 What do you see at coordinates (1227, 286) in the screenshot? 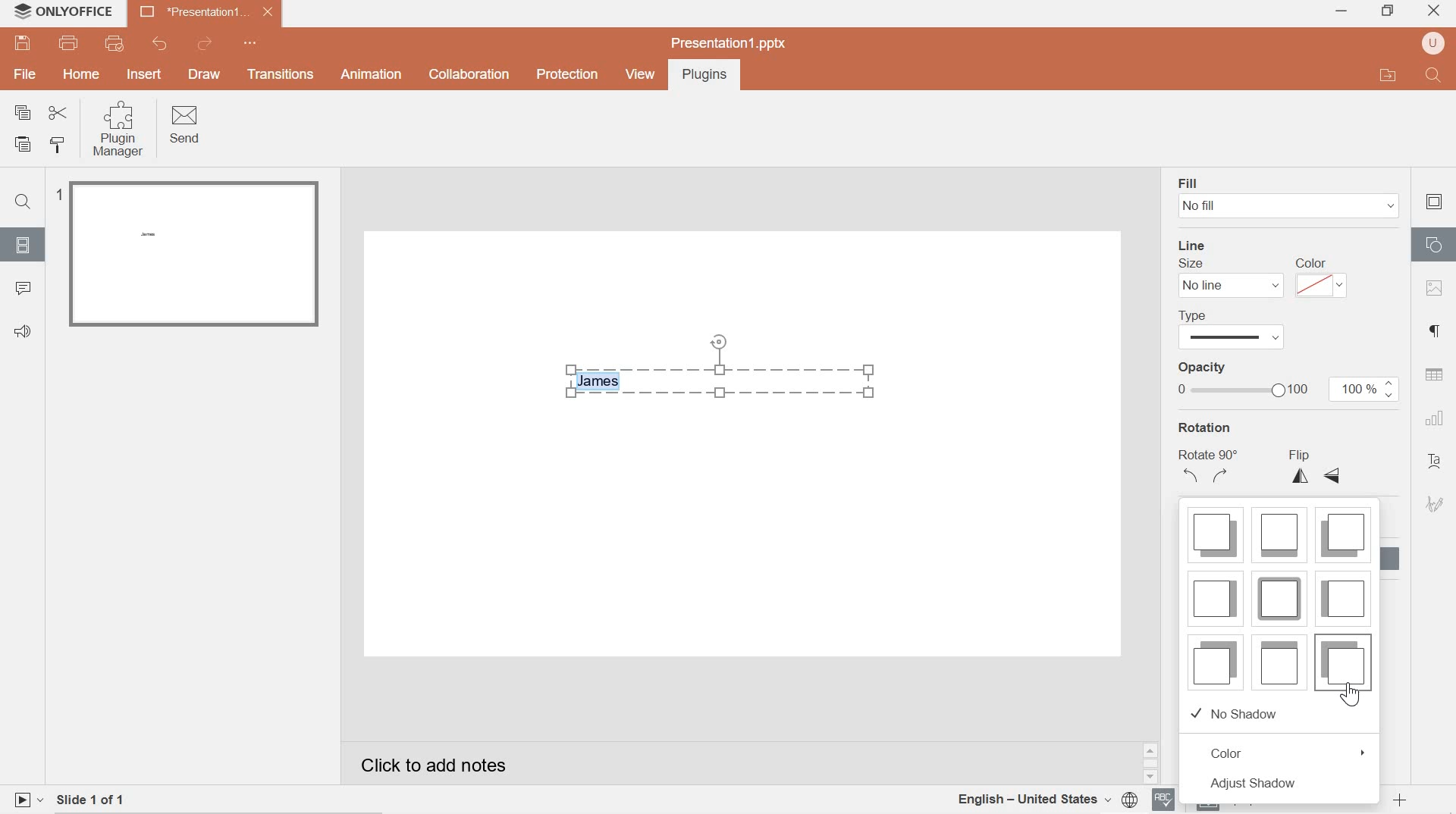
I see `No line` at bounding box center [1227, 286].